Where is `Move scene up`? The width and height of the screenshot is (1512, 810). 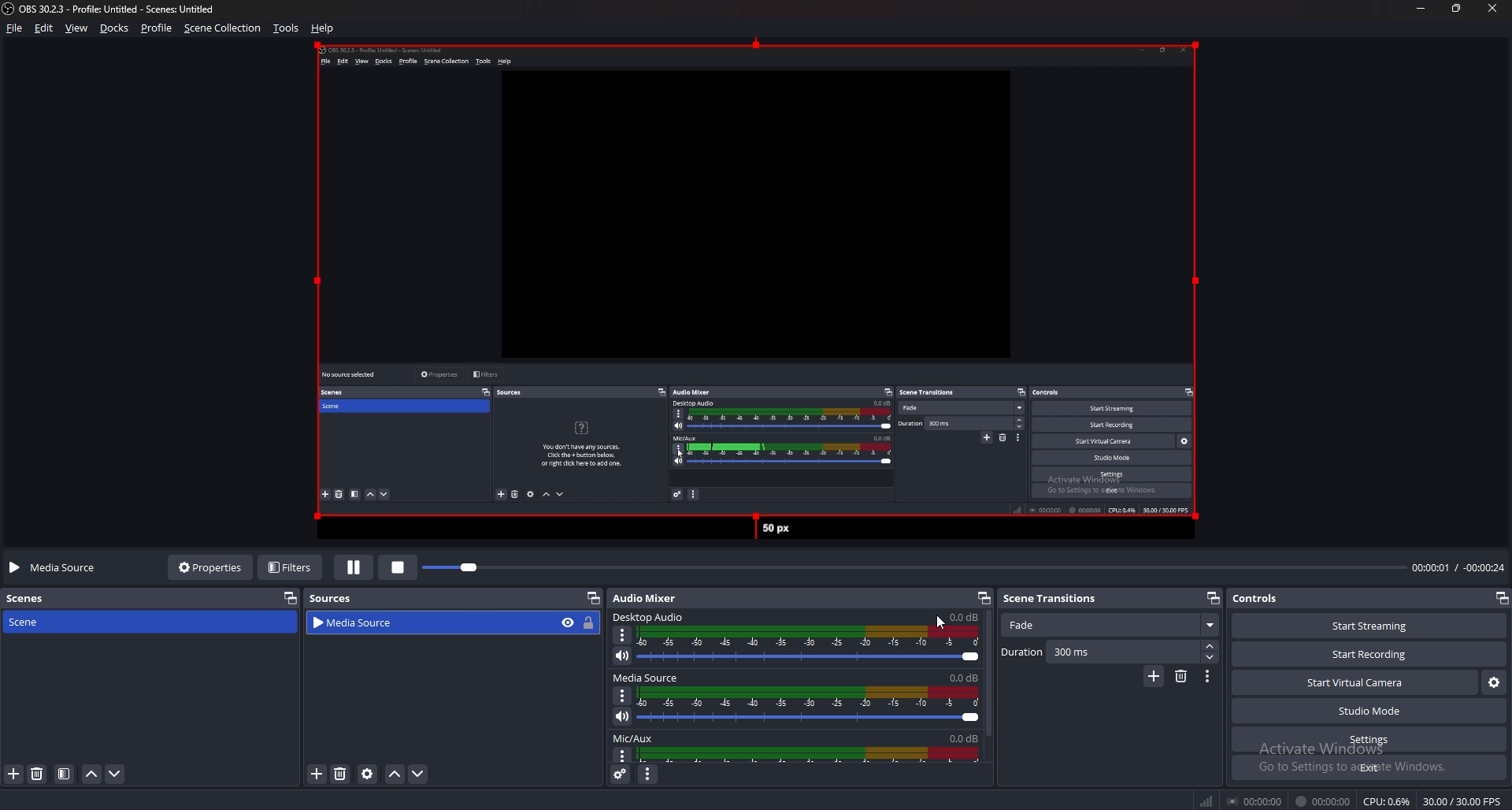
Move scene up is located at coordinates (91, 776).